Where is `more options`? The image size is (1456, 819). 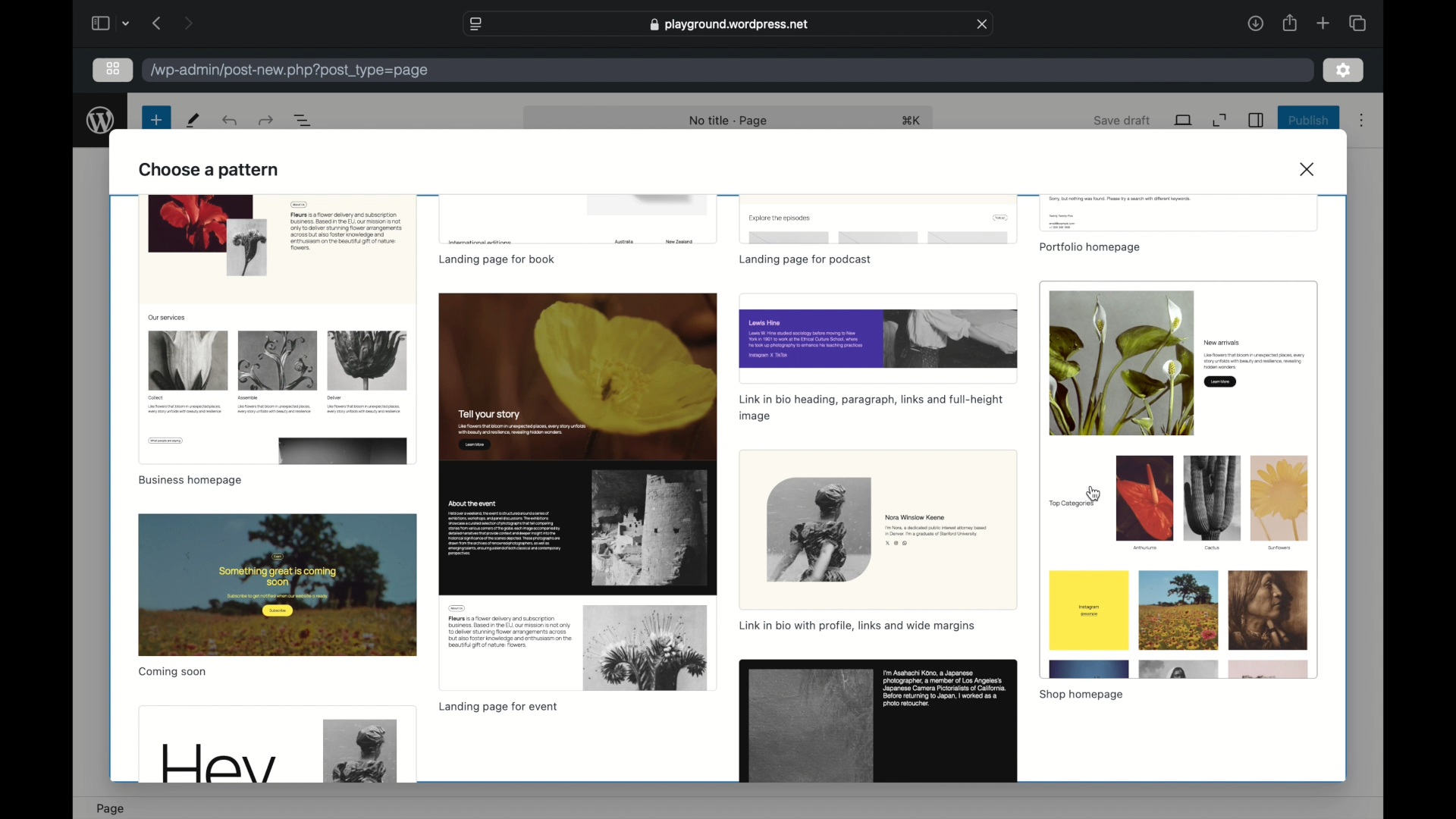 more options is located at coordinates (1362, 121).